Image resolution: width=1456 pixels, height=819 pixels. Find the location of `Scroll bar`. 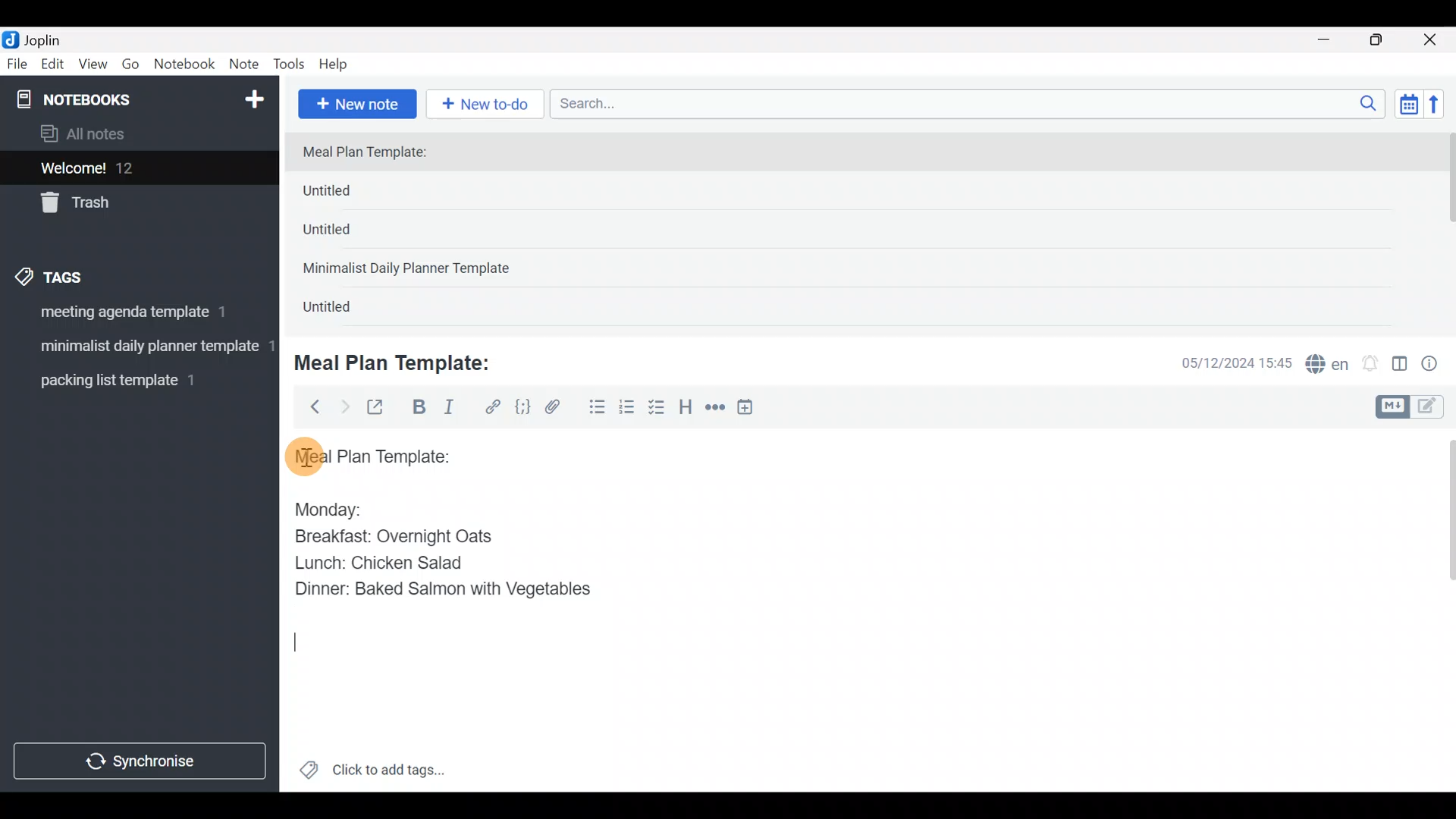

Scroll bar is located at coordinates (1440, 610).